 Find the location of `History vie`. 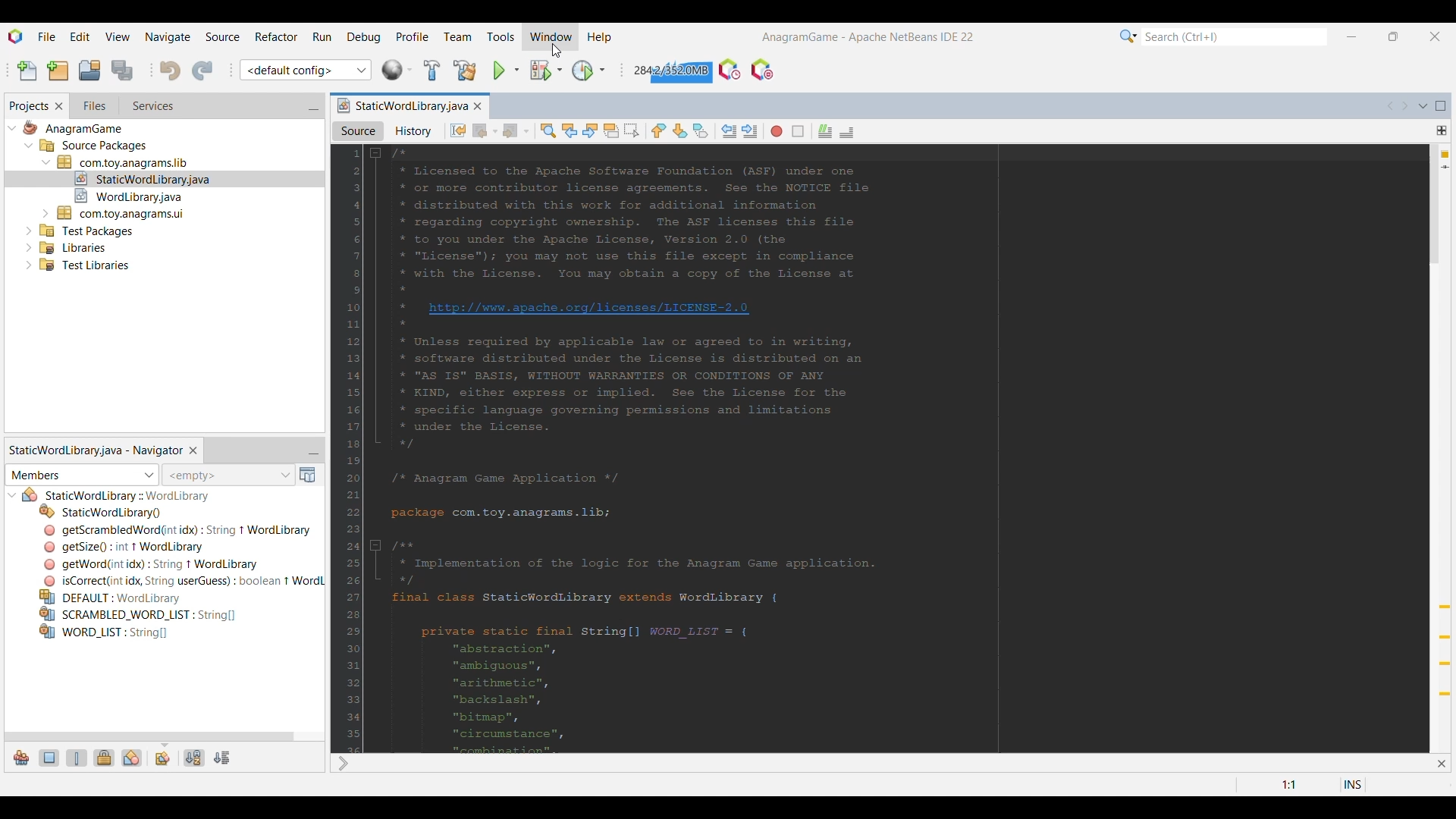

History vie is located at coordinates (414, 131).